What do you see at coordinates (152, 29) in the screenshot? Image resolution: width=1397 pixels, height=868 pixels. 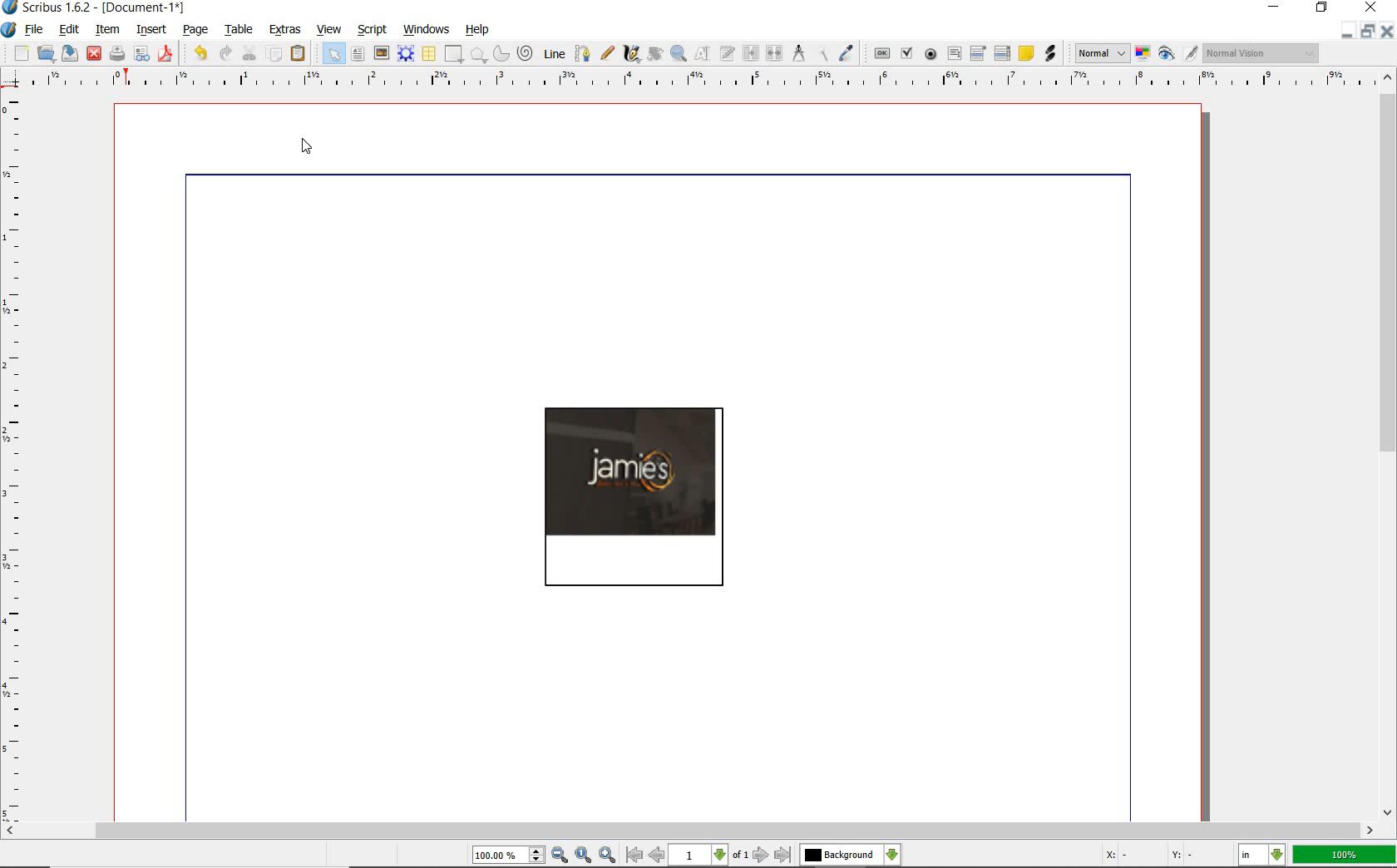 I see `insert` at bounding box center [152, 29].